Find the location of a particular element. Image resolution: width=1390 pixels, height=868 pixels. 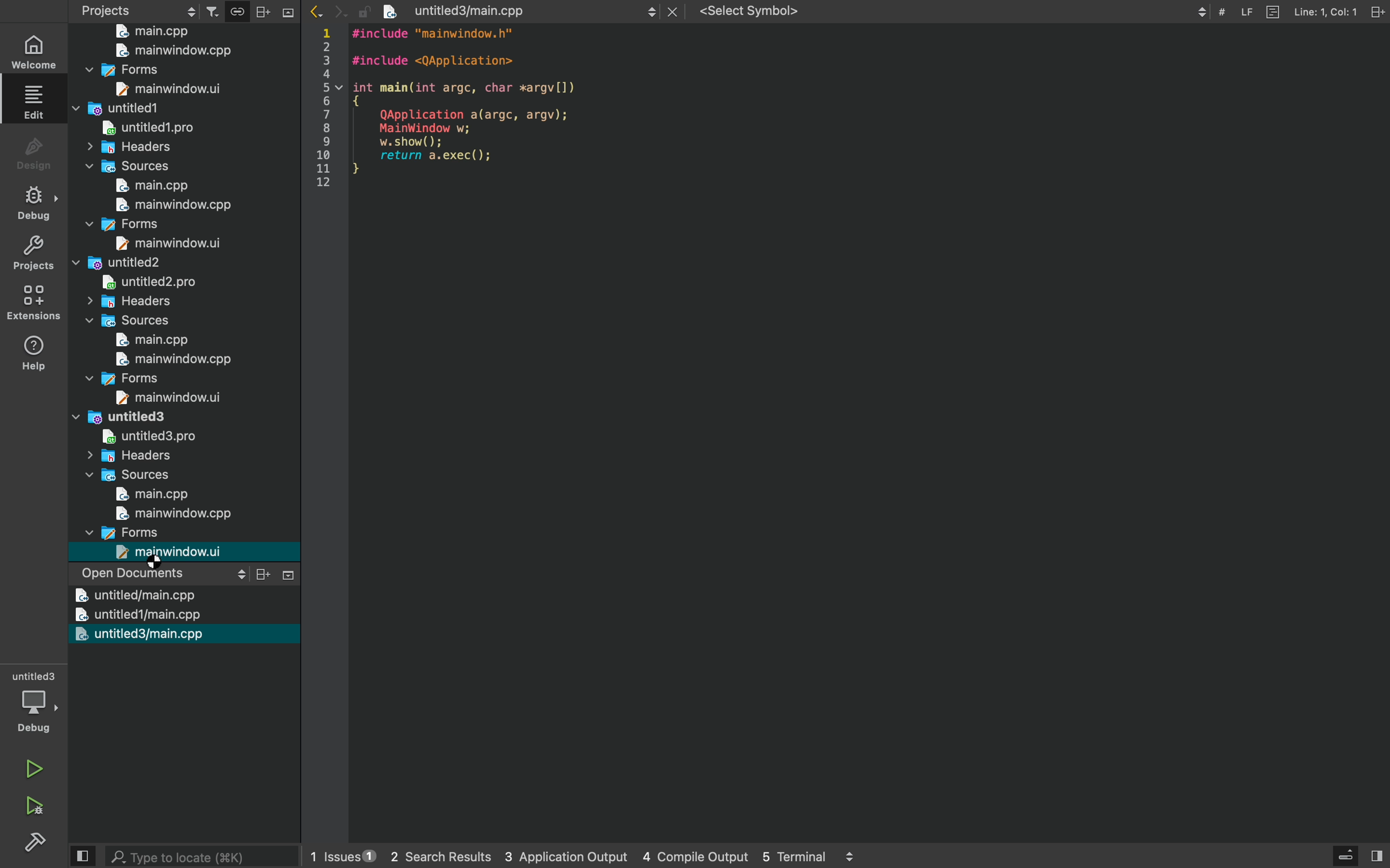

2 search results is located at coordinates (428, 857).